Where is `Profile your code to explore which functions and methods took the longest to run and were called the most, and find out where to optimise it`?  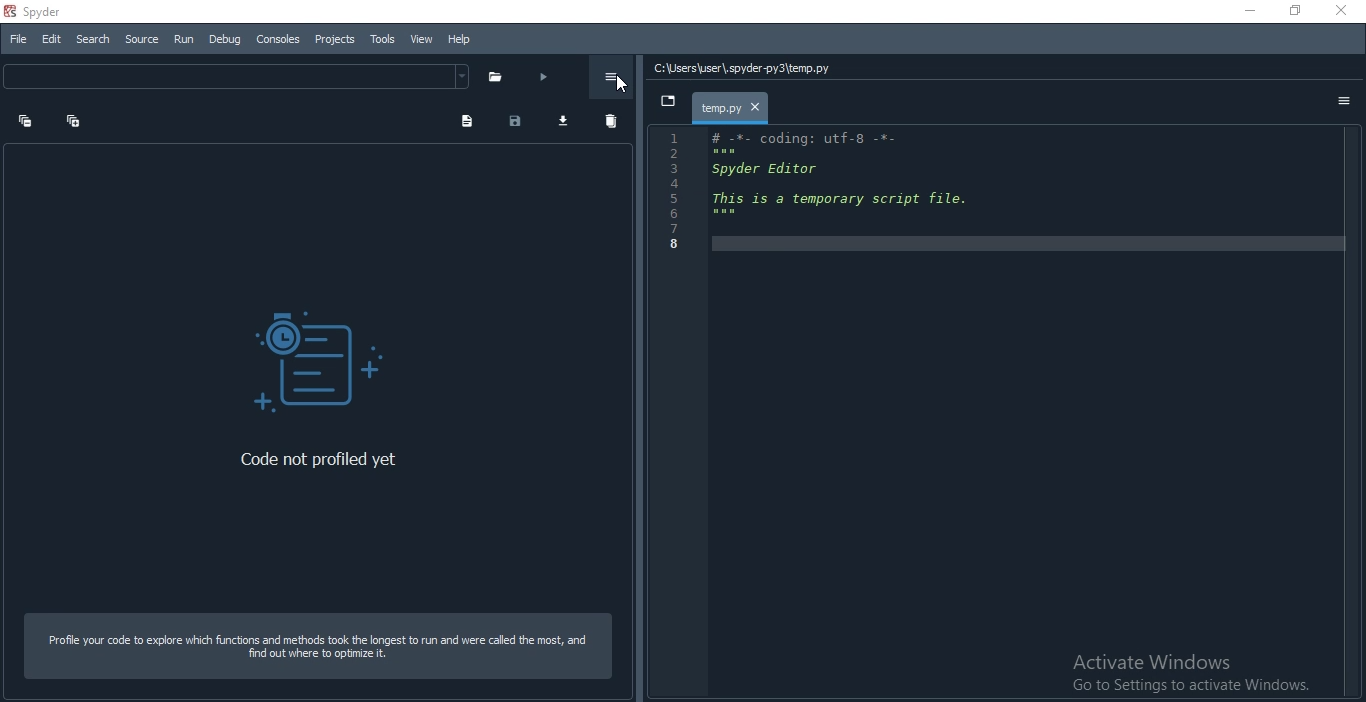
Profile your code to explore which functions and methods took the longest to run and were called the most, and find out where to optimise it is located at coordinates (320, 646).